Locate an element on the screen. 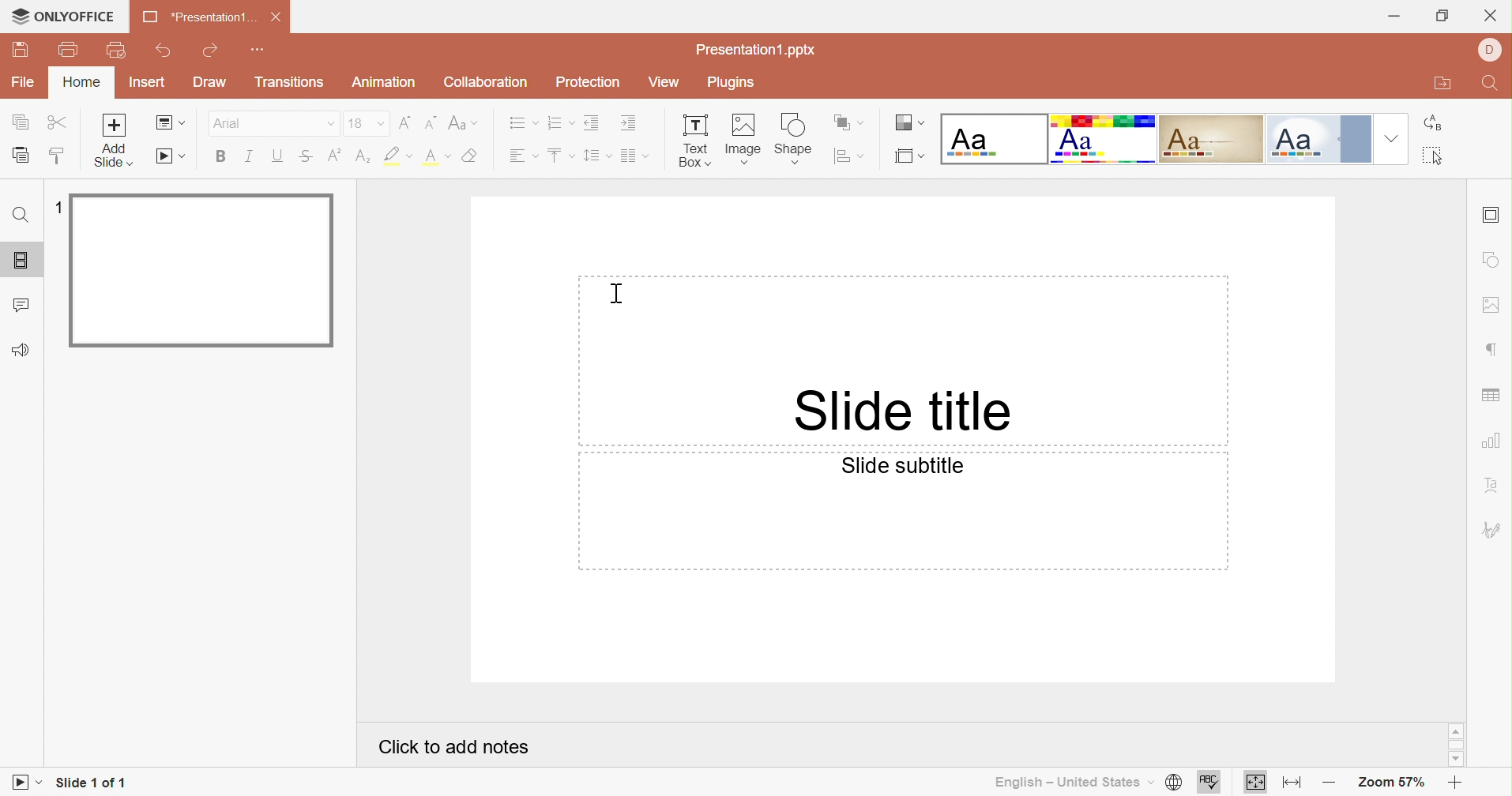 The image size is (1512, 796). Zoom in is located at coordinates (1455, 783).